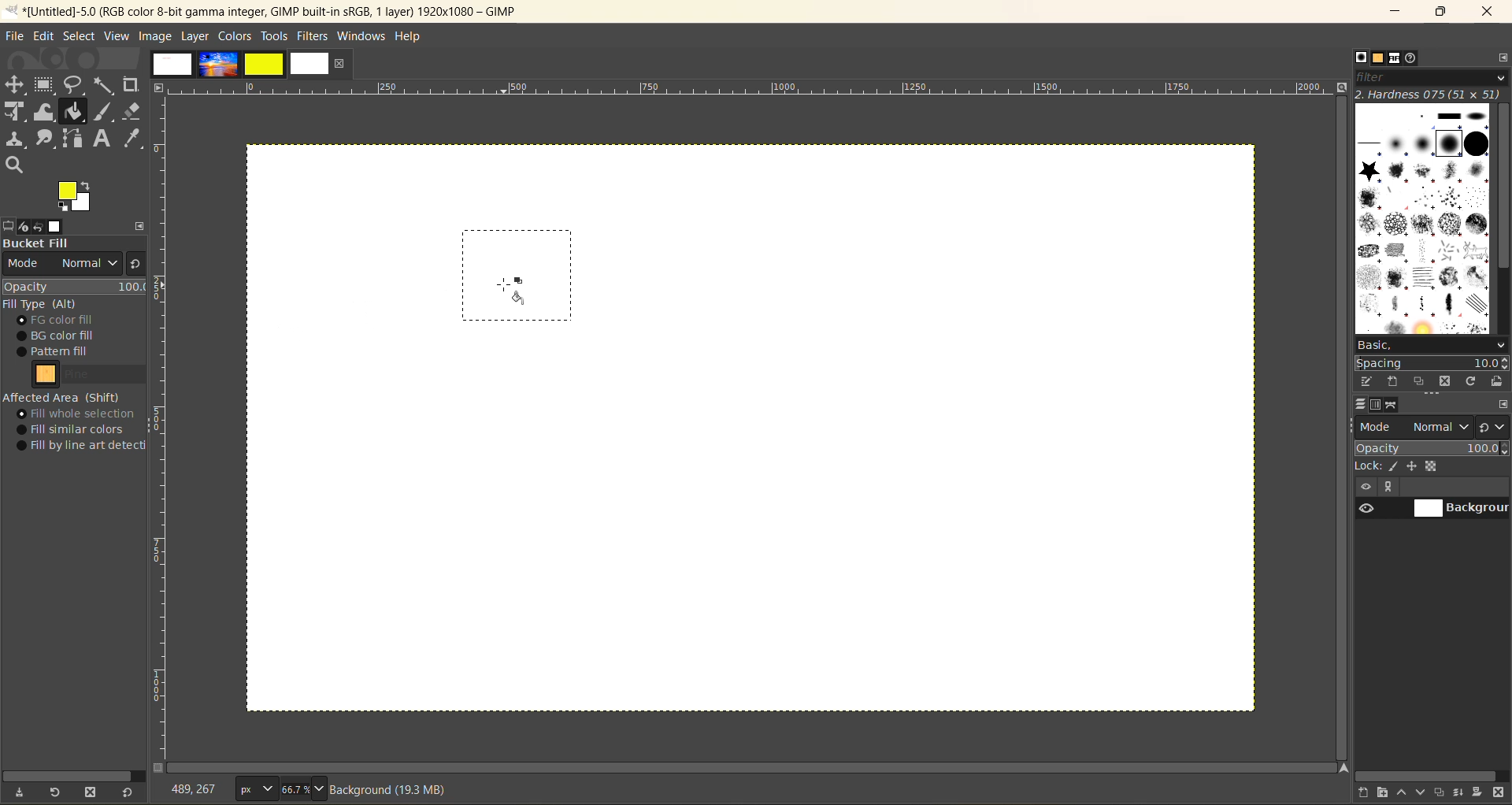 This screenshot has width=1512, height=805. I want to click on view, so click(115, 36).